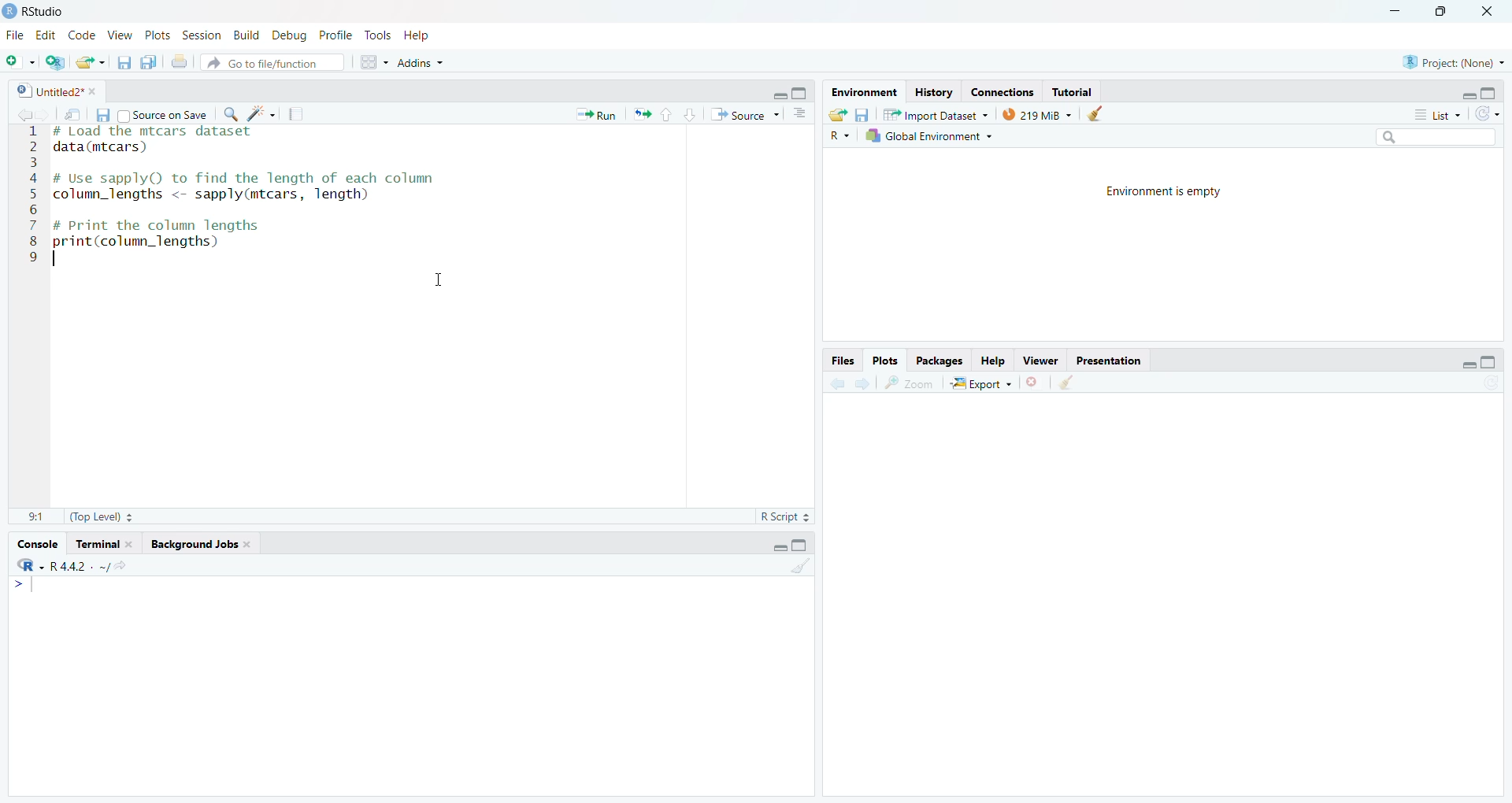 Image resolution: width=1512 pixels, height=803 pixels. Describe the element at coordinates (37, 518) in the screenshot. I see `1:1` at that location.